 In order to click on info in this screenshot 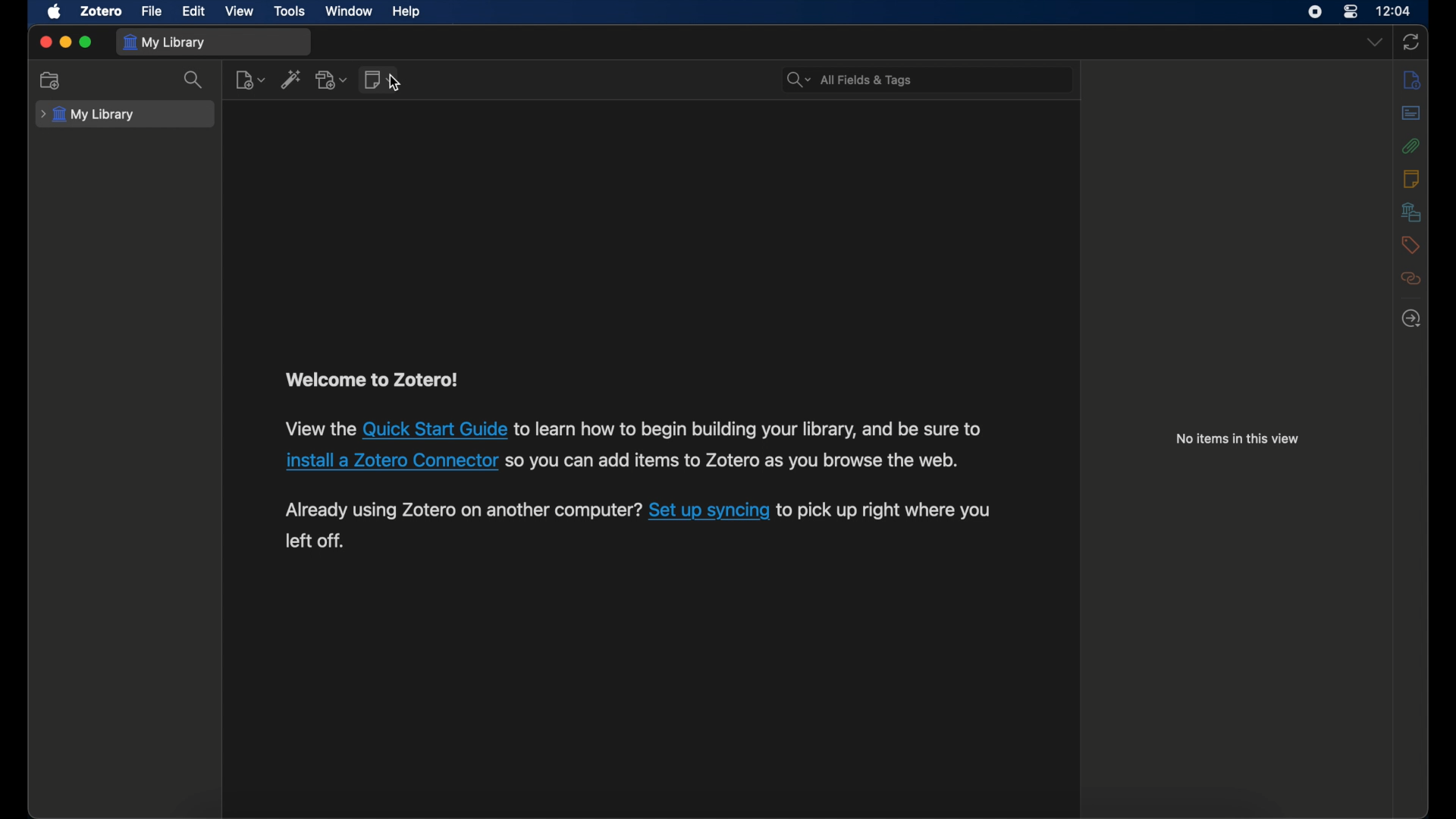, I will do `click(1412, 80)`.